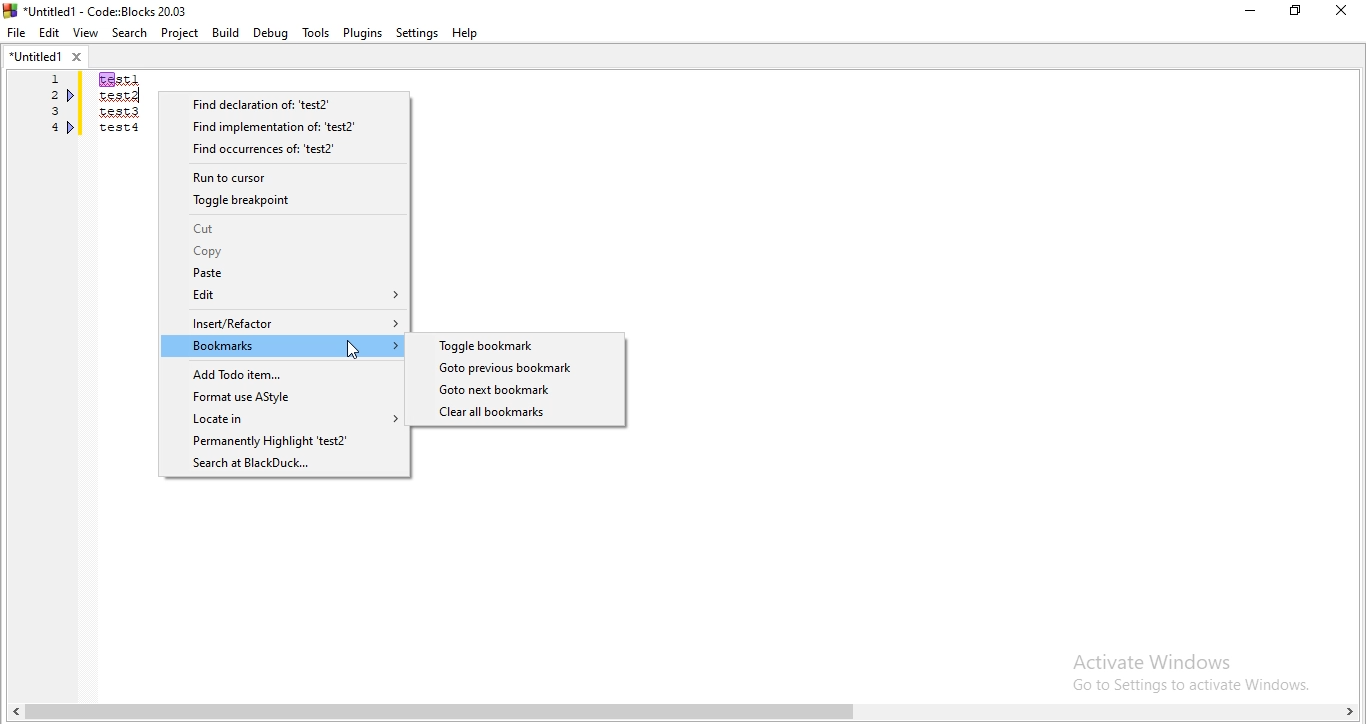 Image resolution: width=1366 pixels, height=724 pixels. What do you see at coordinates (281, 419) in the screenshot?
I see `Locate in` at bounding box center [281, 419].